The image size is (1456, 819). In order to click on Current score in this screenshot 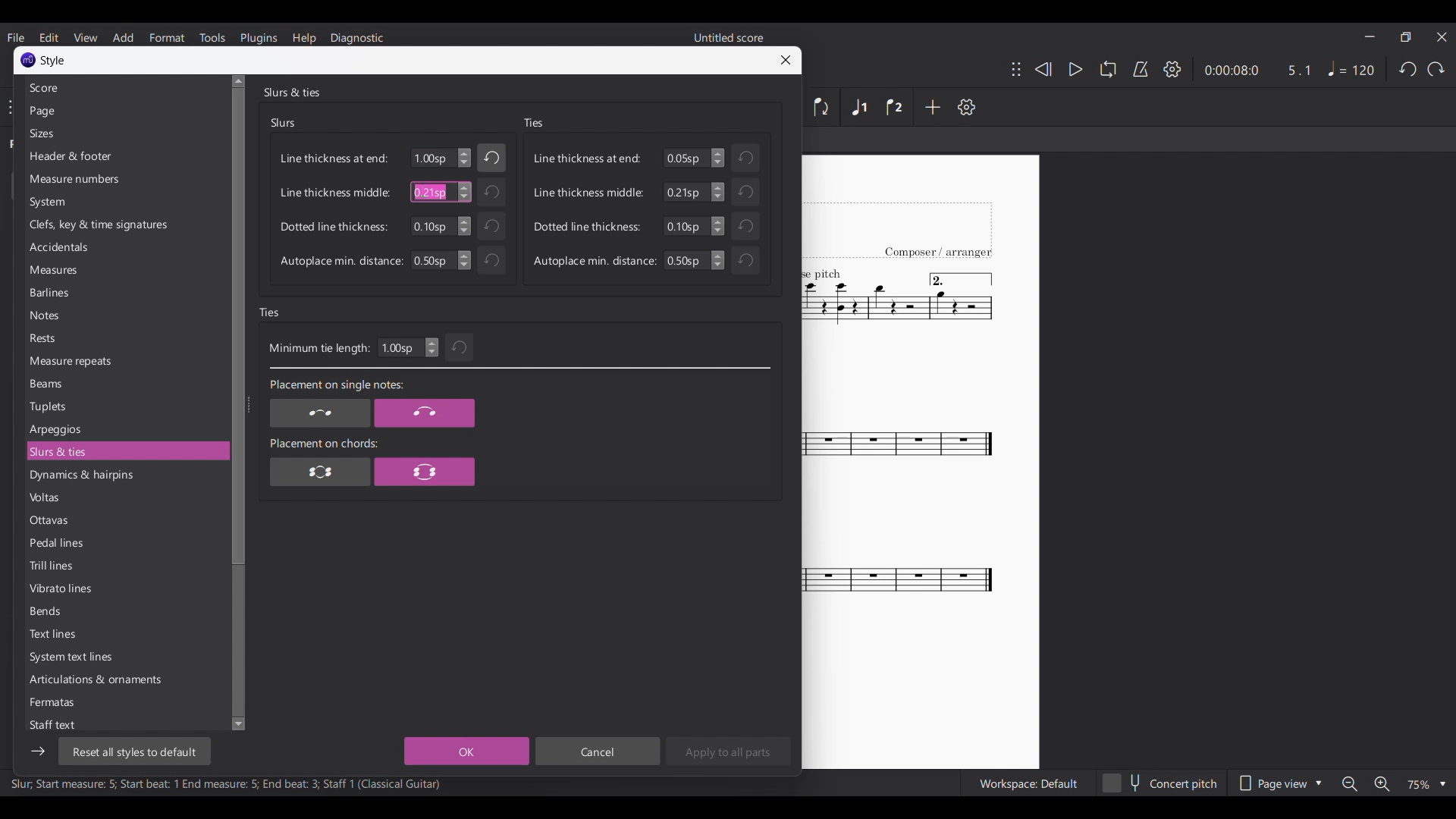, I will do `click(899, 463)`.